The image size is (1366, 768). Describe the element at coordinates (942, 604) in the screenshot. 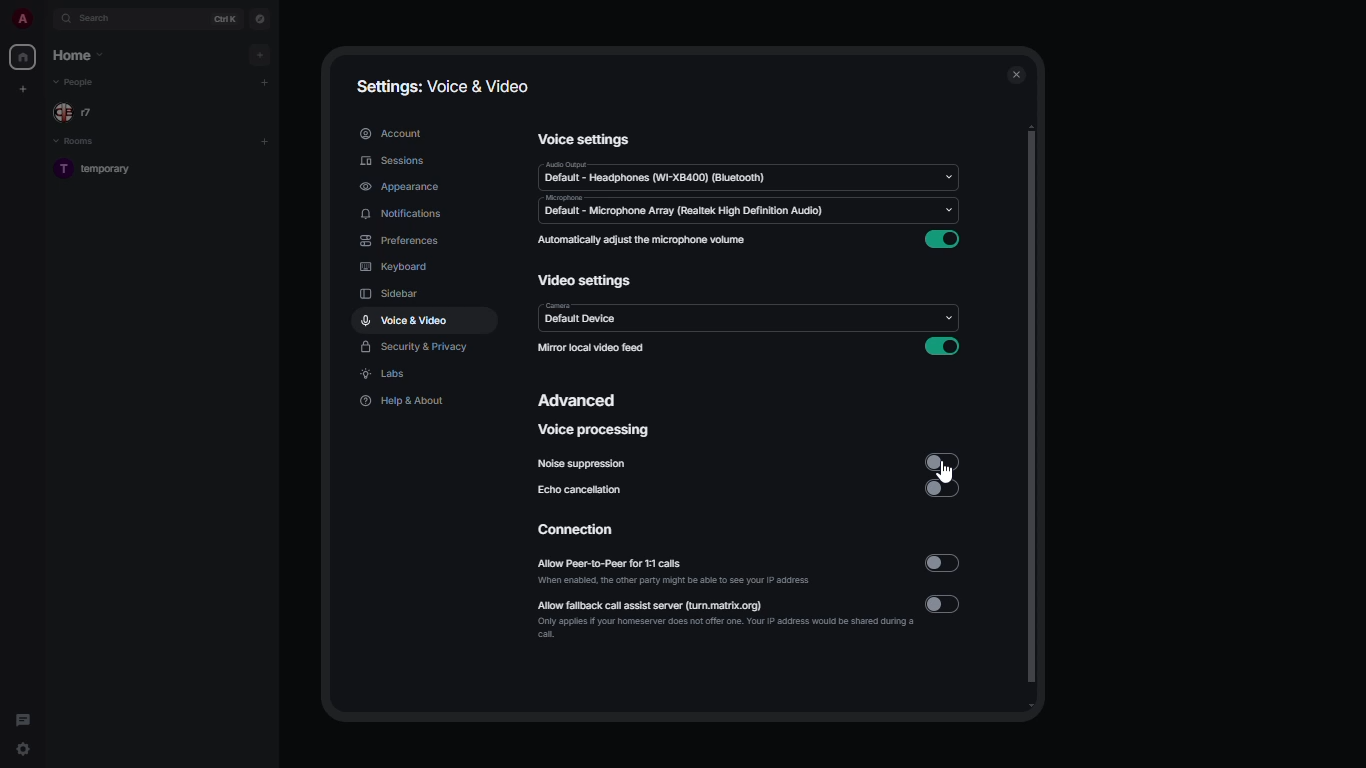

I see `disabled` at that location.